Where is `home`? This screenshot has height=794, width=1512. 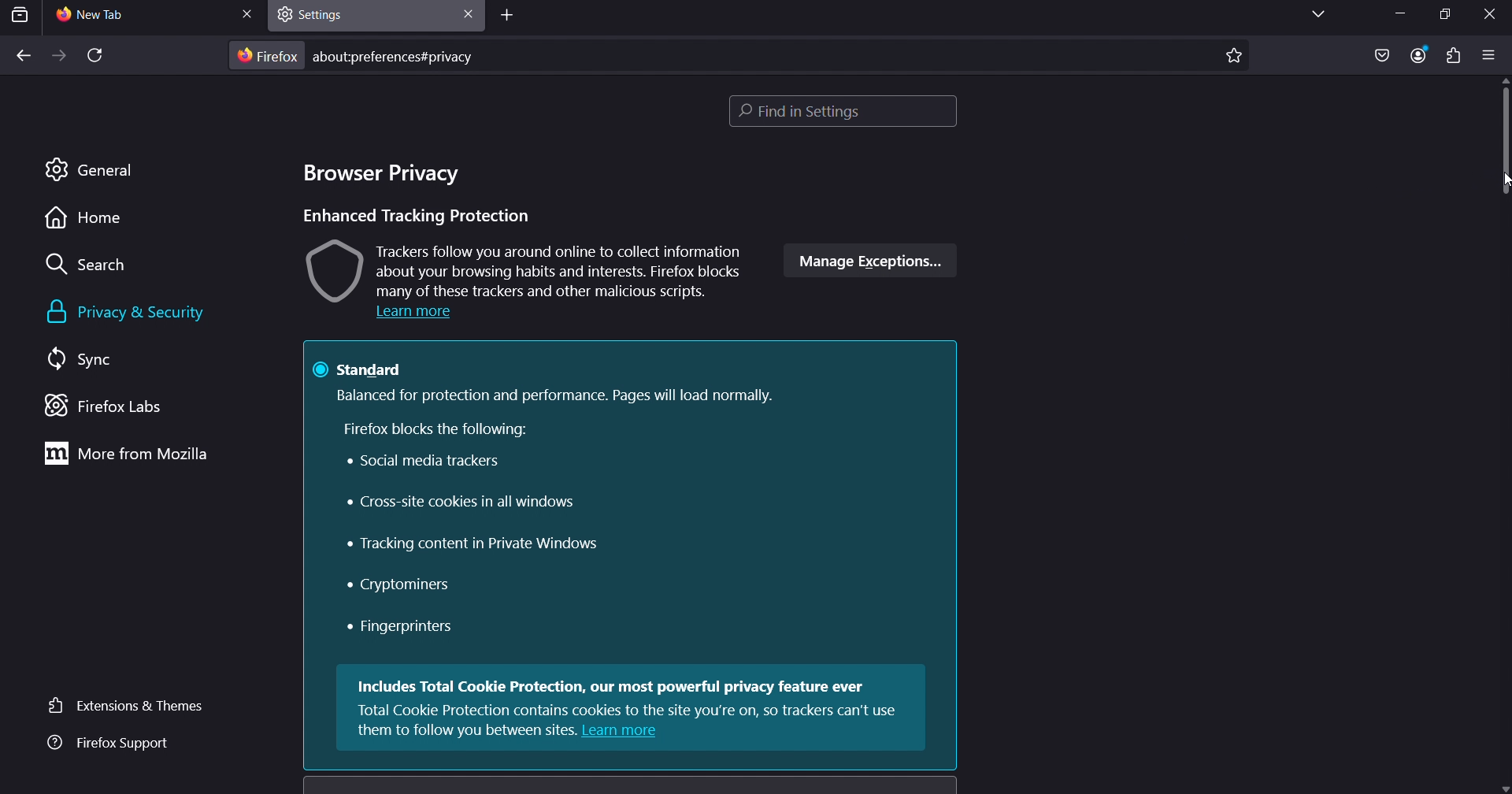
home is located at coordinates (82, 222).